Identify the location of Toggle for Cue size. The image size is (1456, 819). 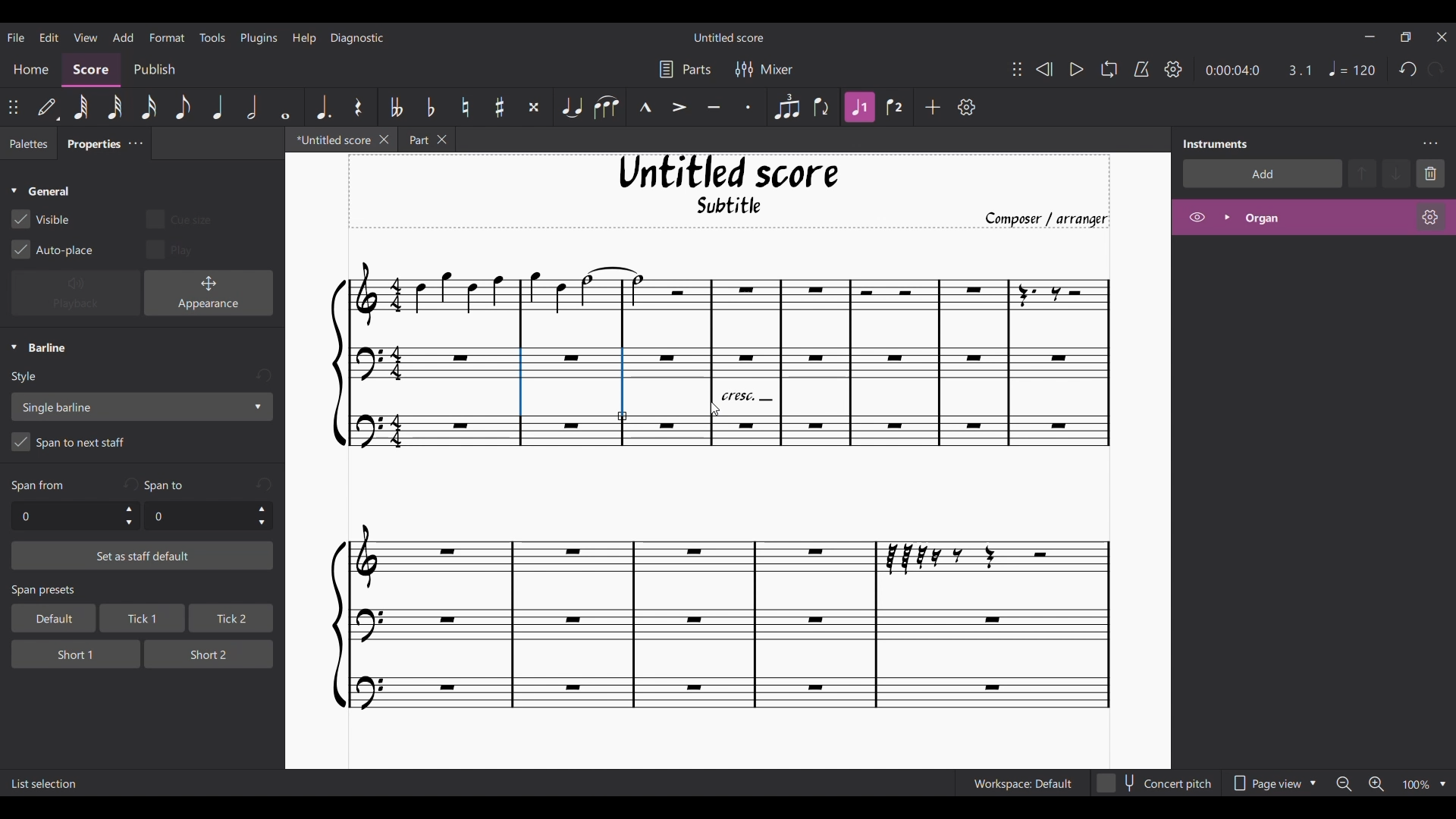
(178, 218).